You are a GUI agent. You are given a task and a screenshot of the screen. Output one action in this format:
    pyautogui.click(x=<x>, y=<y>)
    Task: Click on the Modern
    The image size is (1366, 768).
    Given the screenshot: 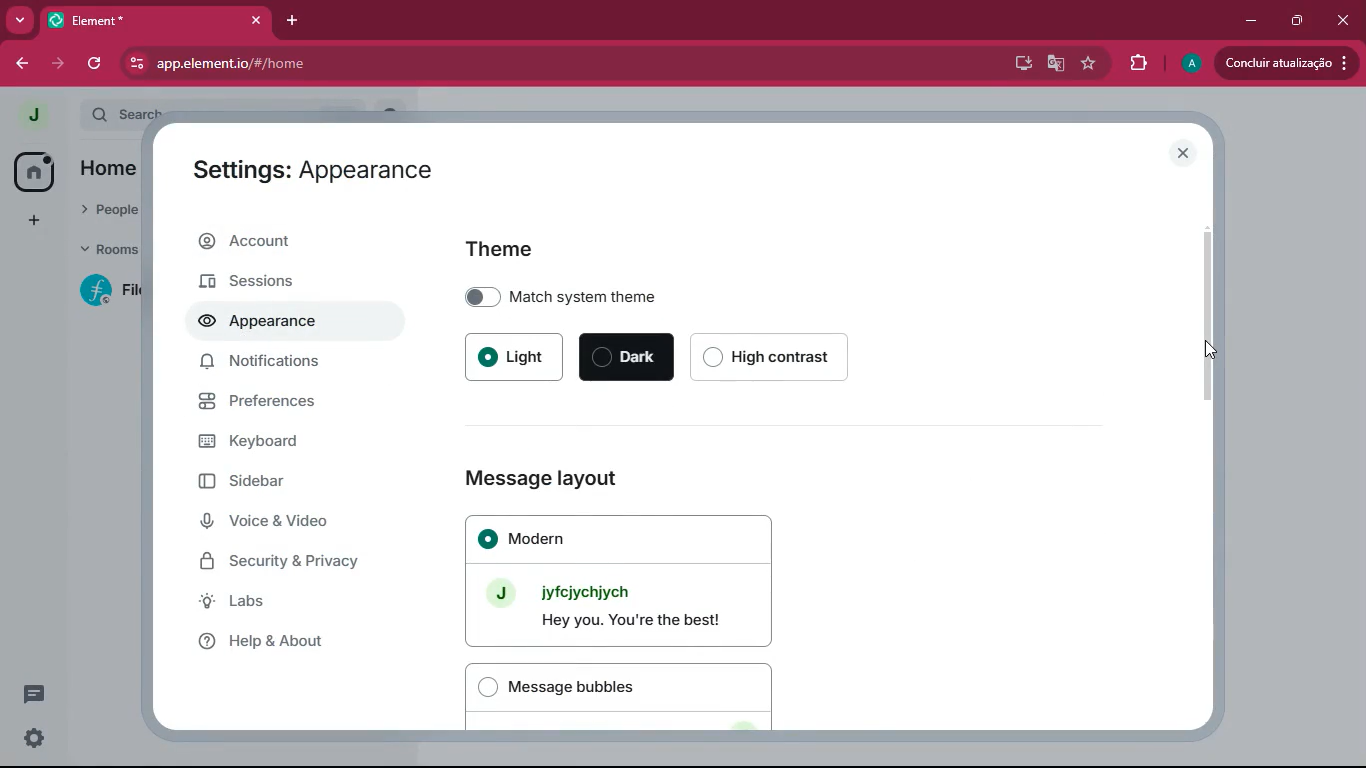 What is the action you would take?
    pyautogui.click(x=619, y=581)
    